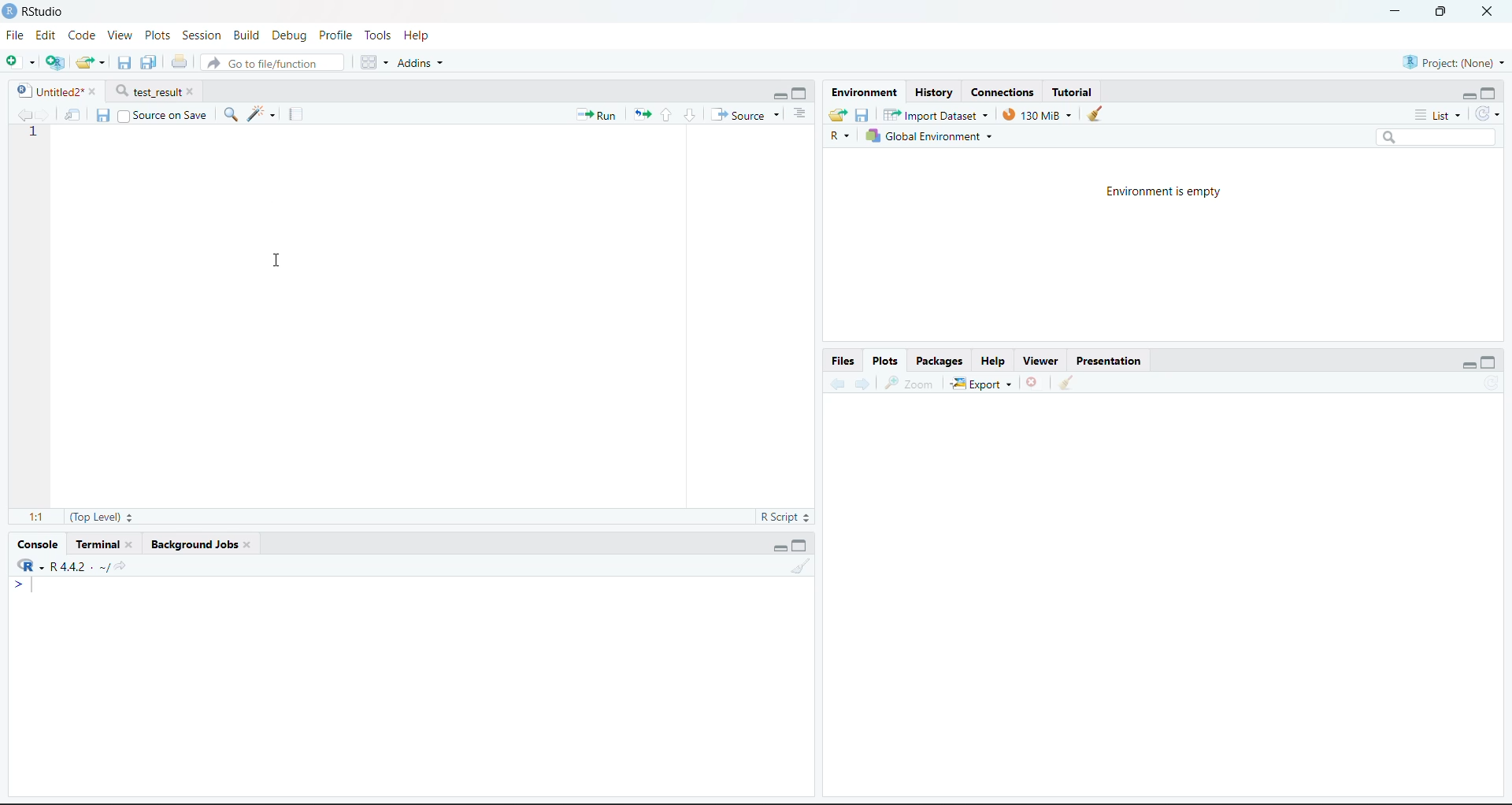 The height and width of the screenshot is (805, 1512). Describe the element at coordinates (289, 35) in the screenshot. I see `Debug` at that location.